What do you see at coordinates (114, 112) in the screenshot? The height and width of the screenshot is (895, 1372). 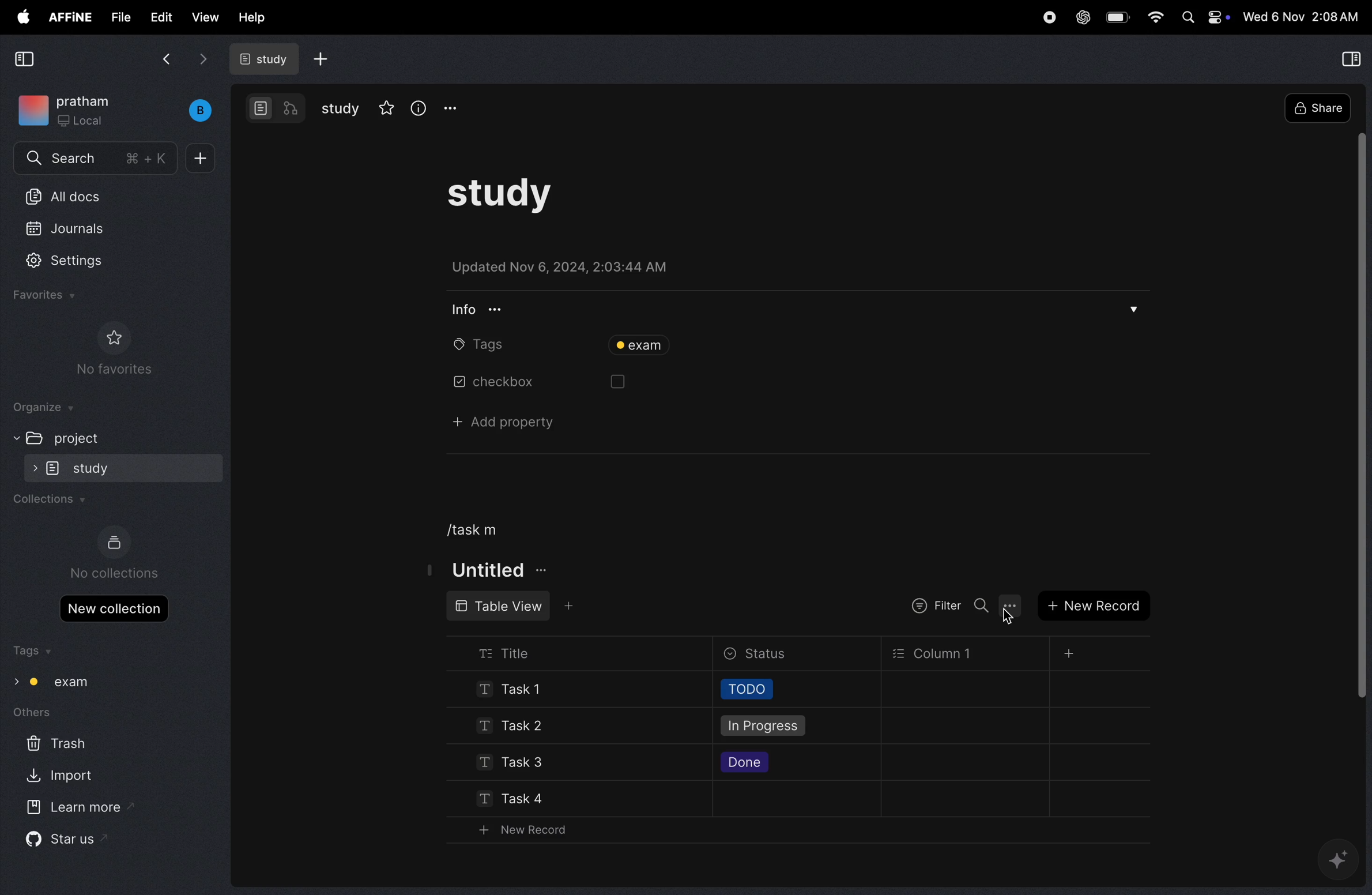 I see `work space` at bounding box center [114, 112].